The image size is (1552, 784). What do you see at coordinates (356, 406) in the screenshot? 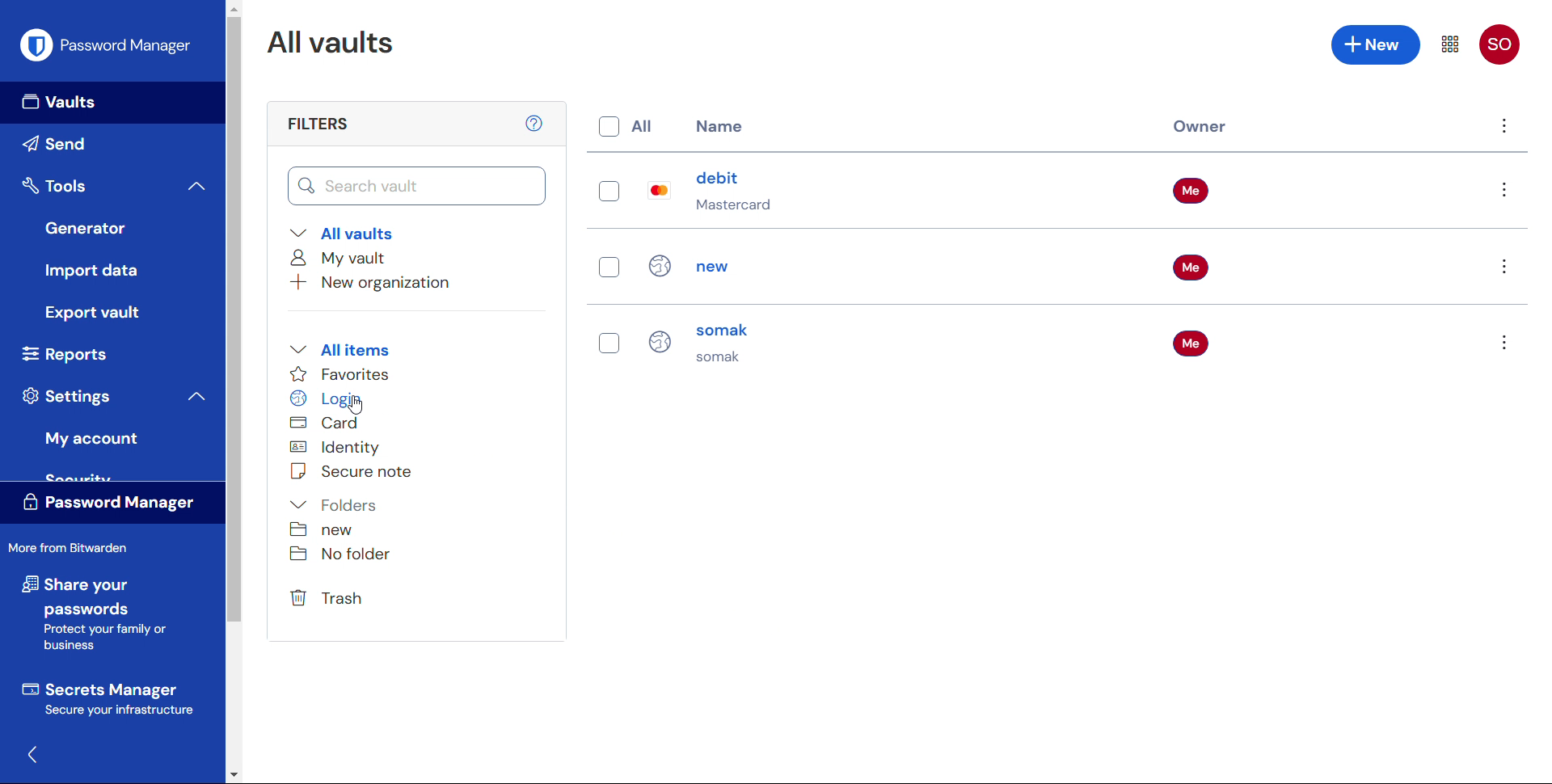
I see `Cursor ` at bounding box center [356, 406].